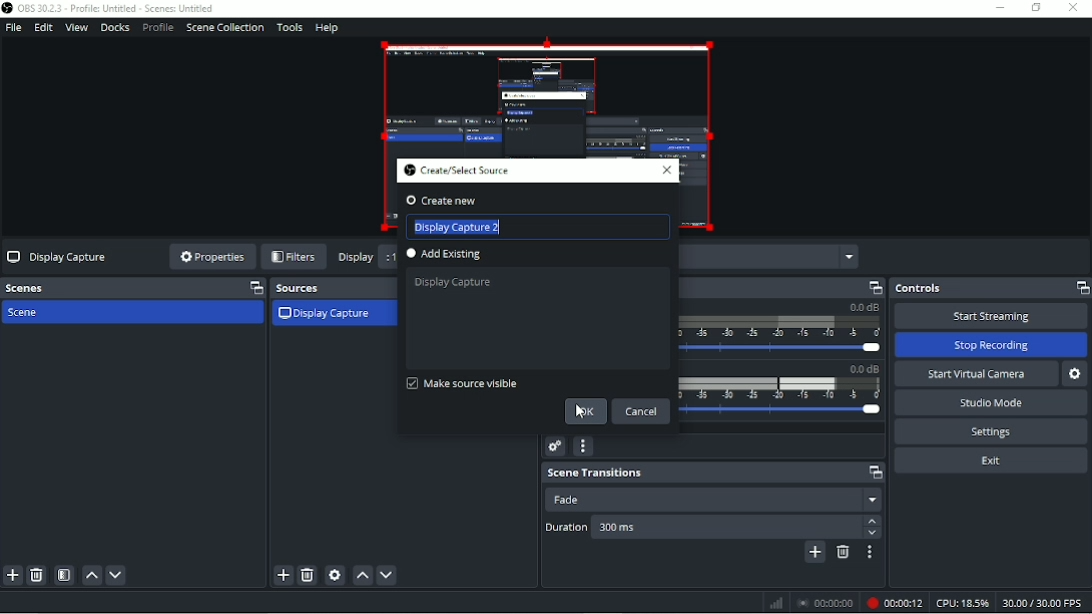 The height and width of the screenshot is (614, 1092). Describe the element at coordinates (211, 258) in the screenshot. I see `Properties` at that location.